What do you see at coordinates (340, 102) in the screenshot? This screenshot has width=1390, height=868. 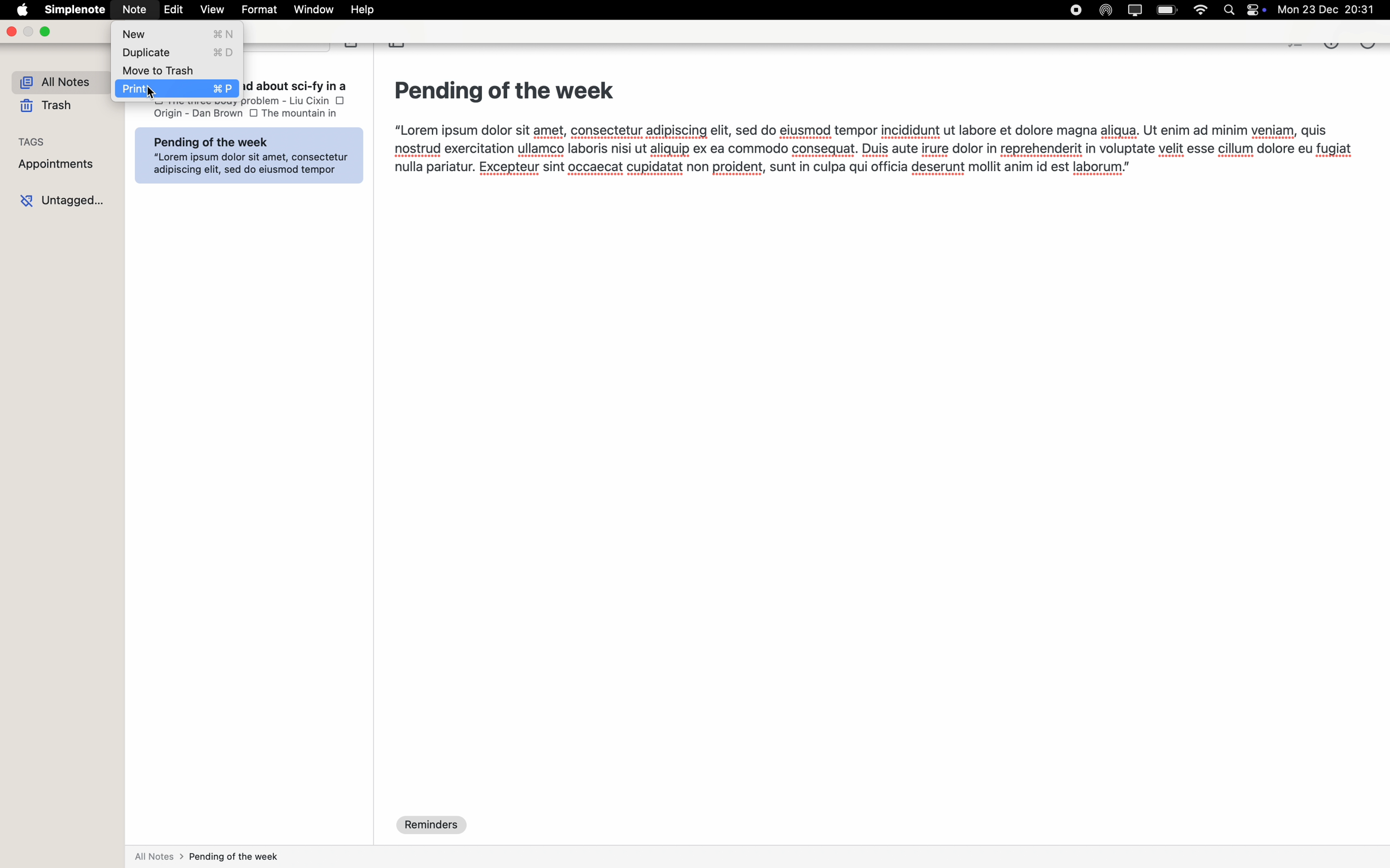 I see `checkbox` at bounding box center [340, 102].